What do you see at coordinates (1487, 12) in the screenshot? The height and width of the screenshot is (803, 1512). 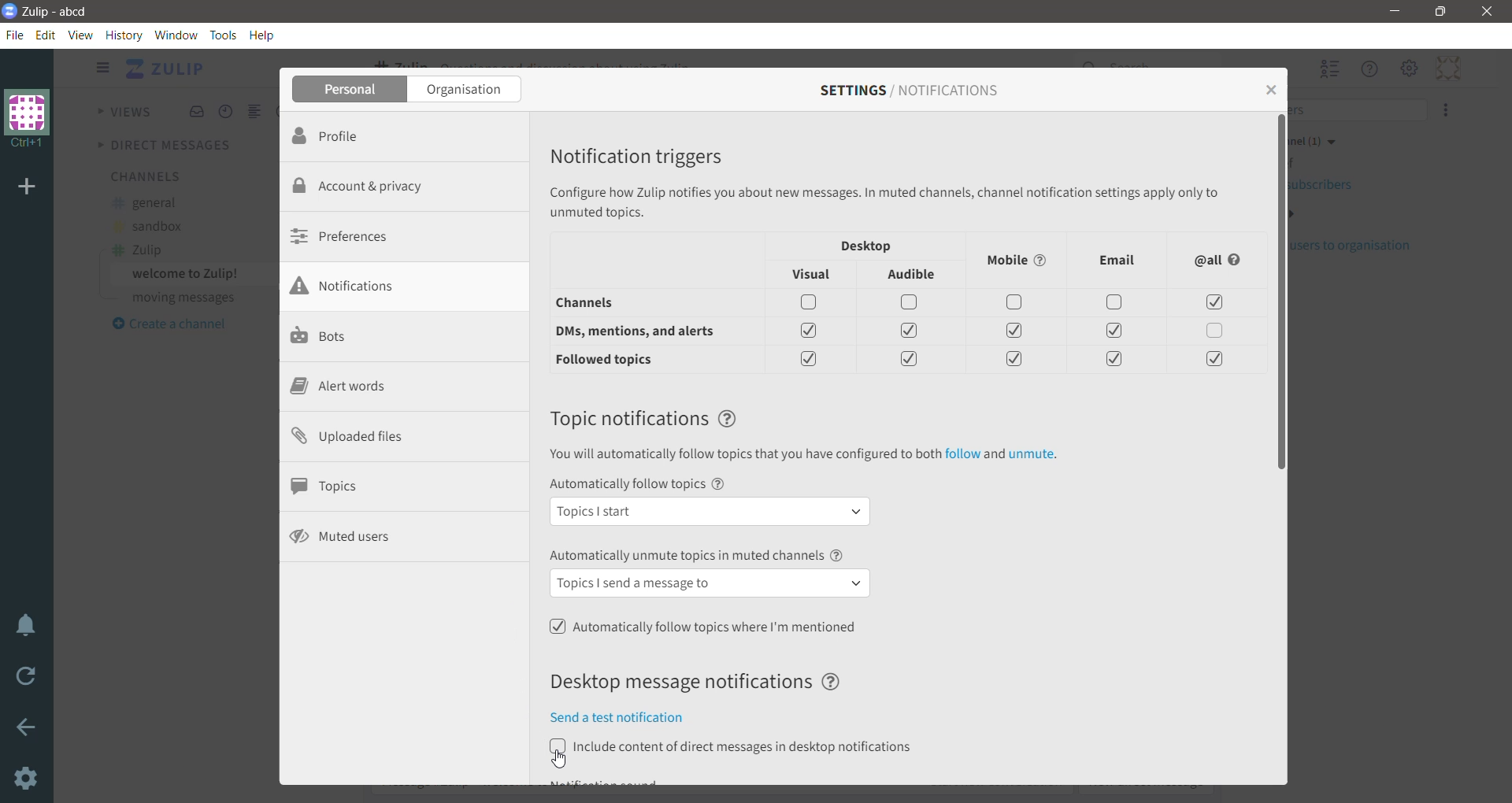 I see `Close` at bounding box center [1487, 12].